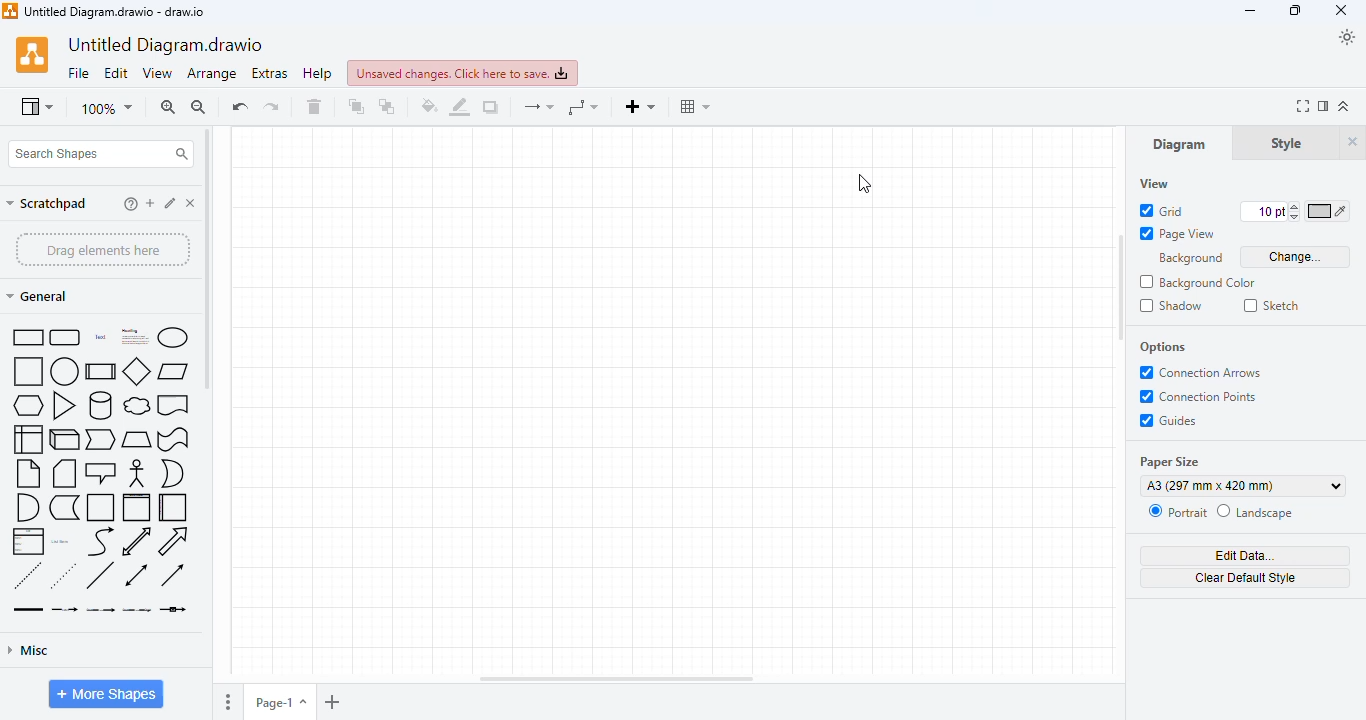 The image size is (1366, 720). I want to click on triangle, so click(64, 405).